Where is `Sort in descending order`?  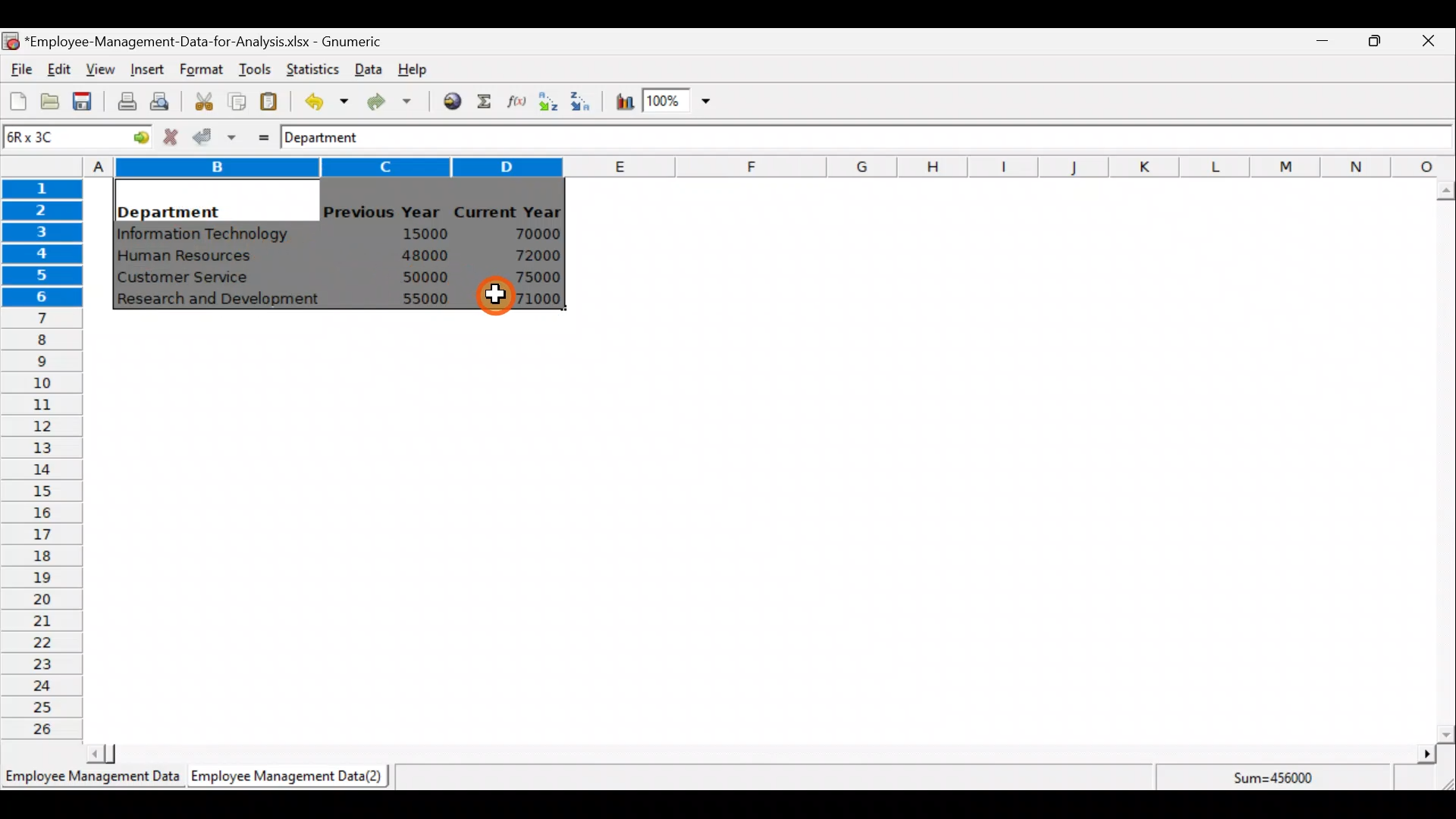 Sort in descending order is located at coordinates (582, 100).